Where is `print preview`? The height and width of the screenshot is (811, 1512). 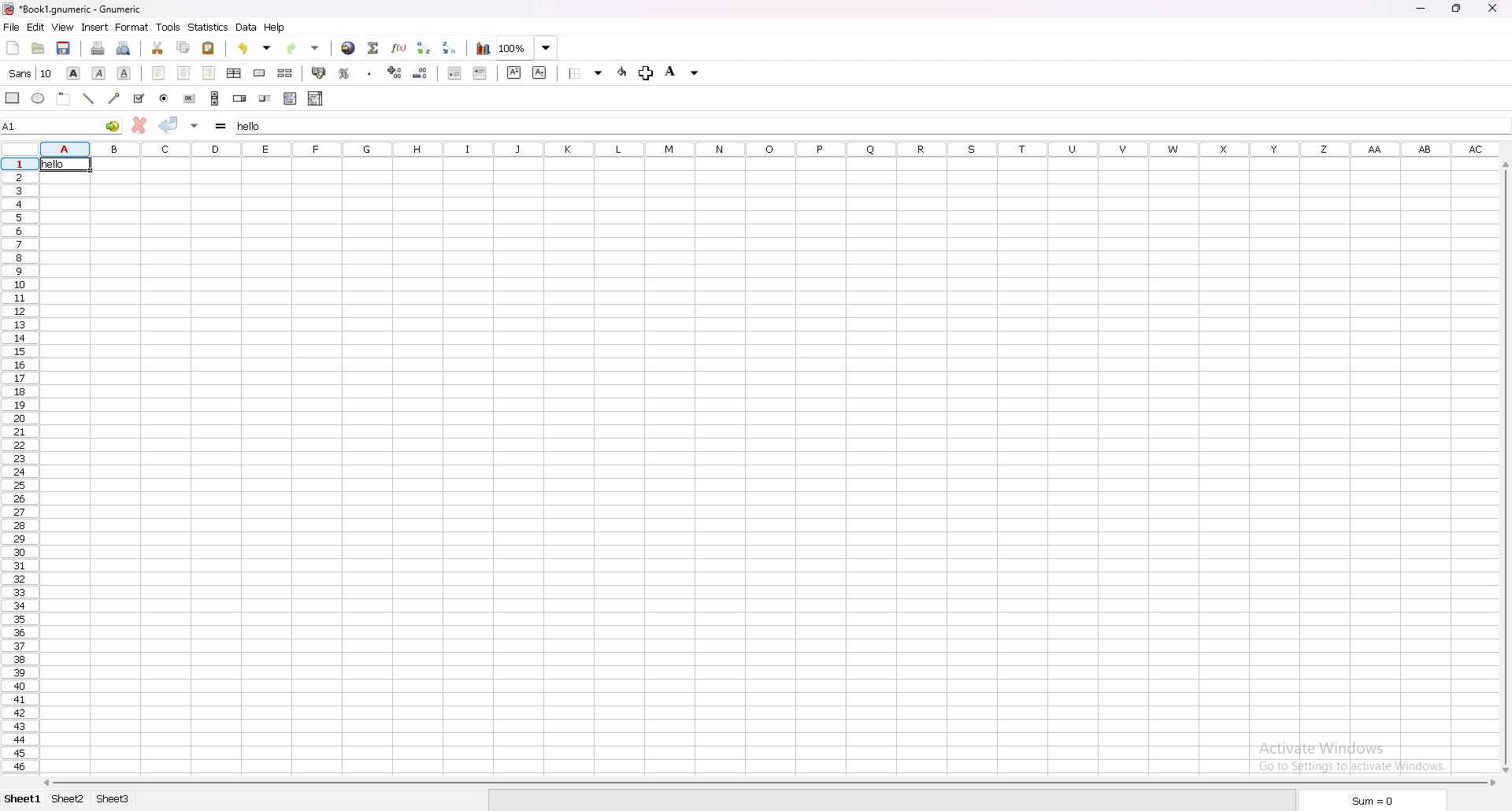 print preview is located at coordinates (124, 49).